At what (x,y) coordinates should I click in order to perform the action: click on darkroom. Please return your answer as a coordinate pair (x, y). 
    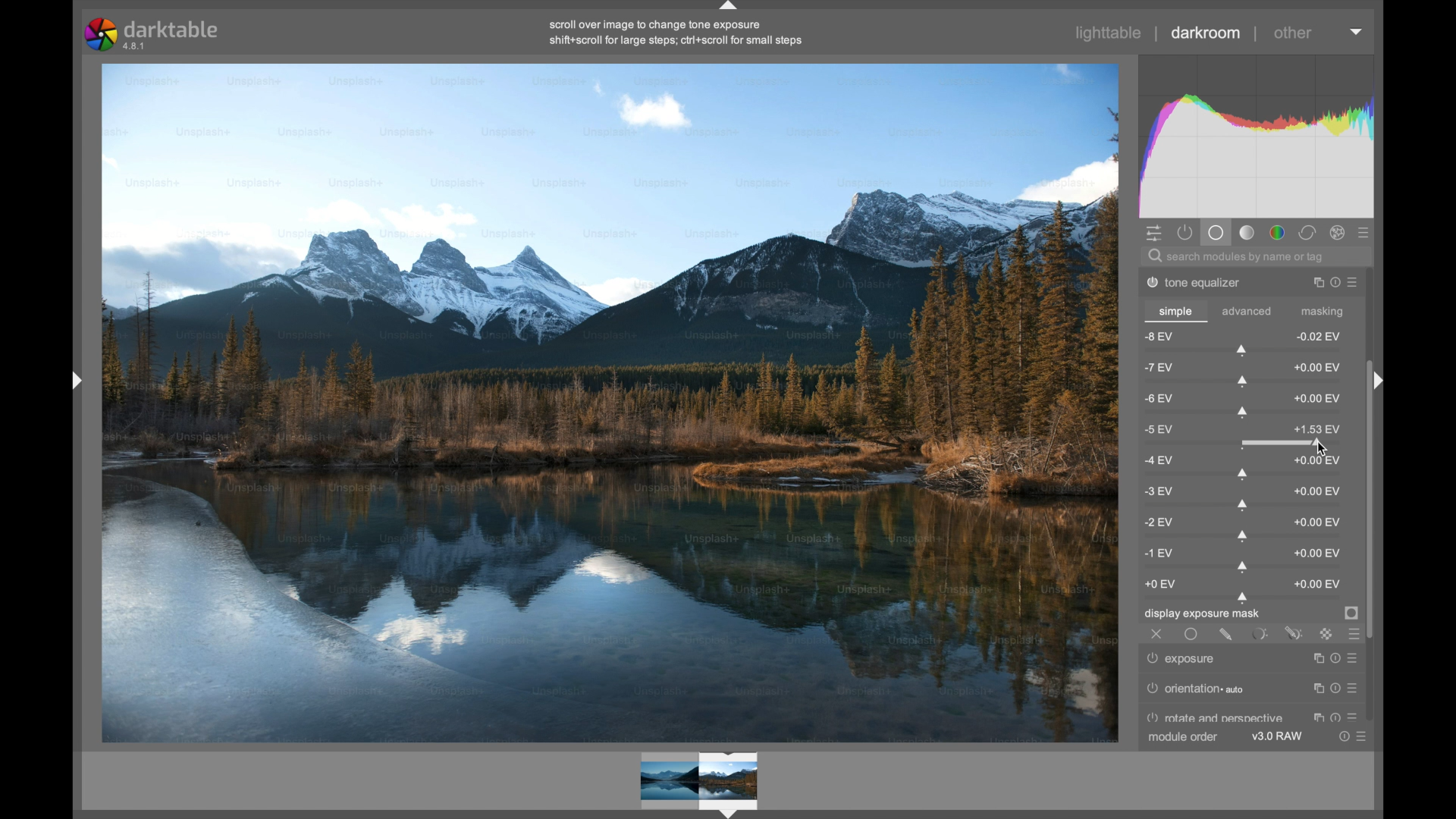
    Looking at the image, I should click on (1206, 33).